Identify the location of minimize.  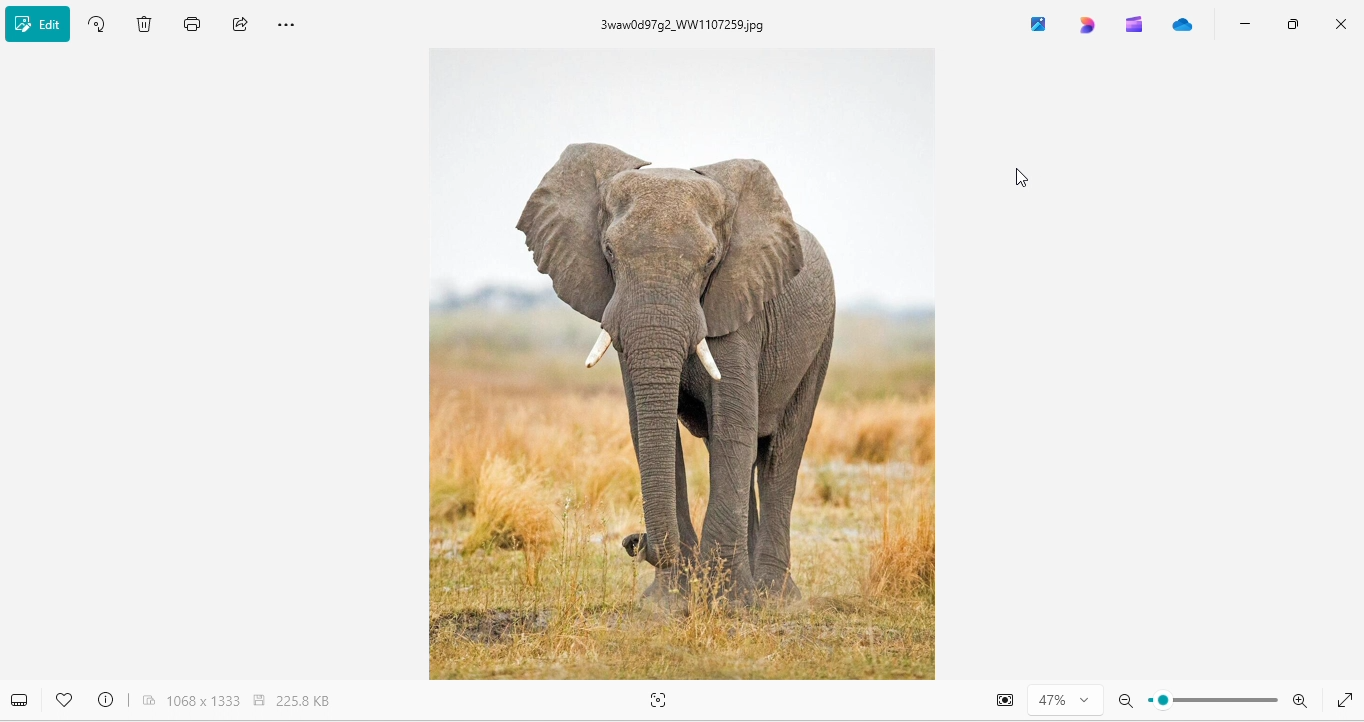
(1240, 24).